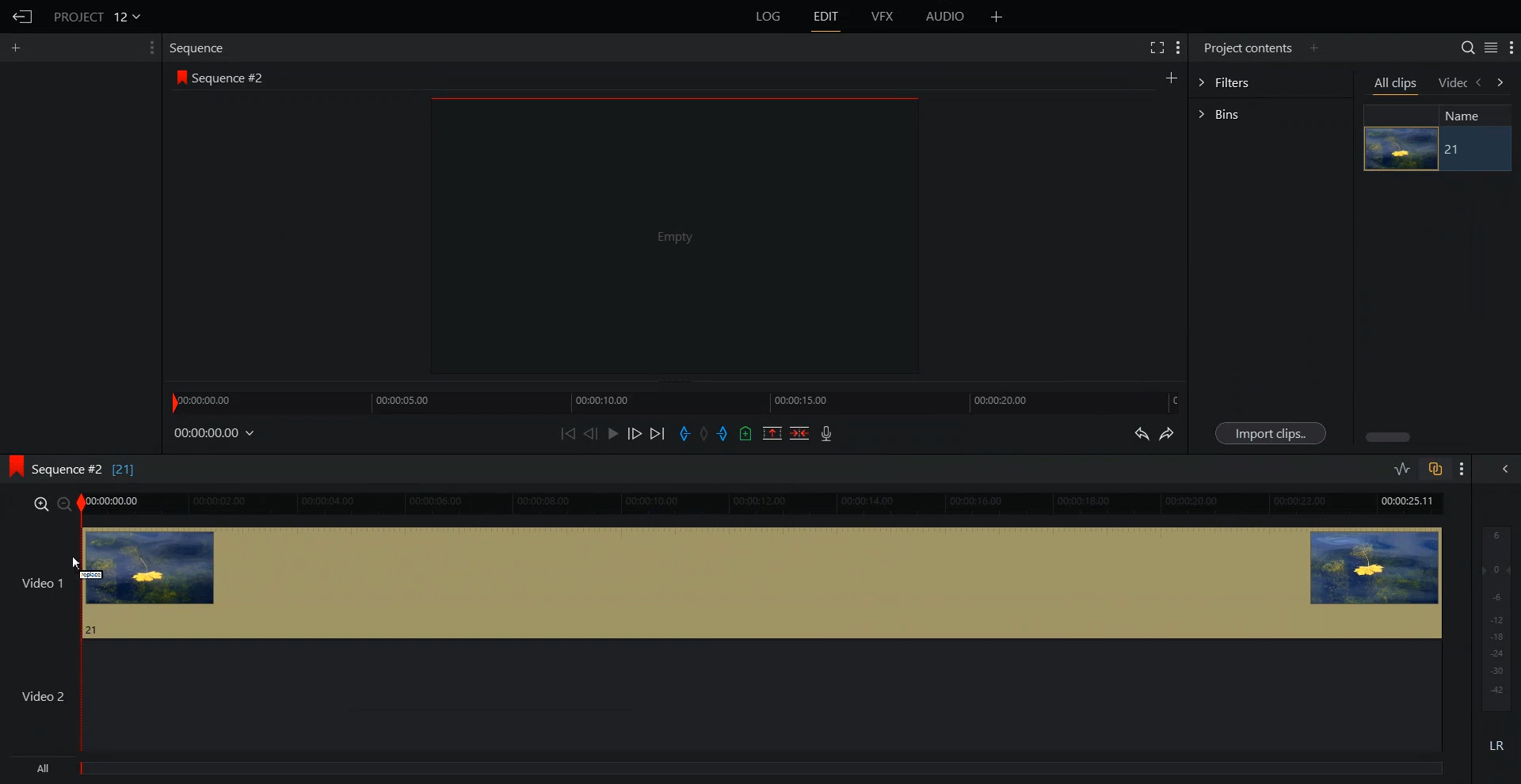 The width and height of the screenshot is (1521, 784). I want to click on Video 2, so click(44, 695).